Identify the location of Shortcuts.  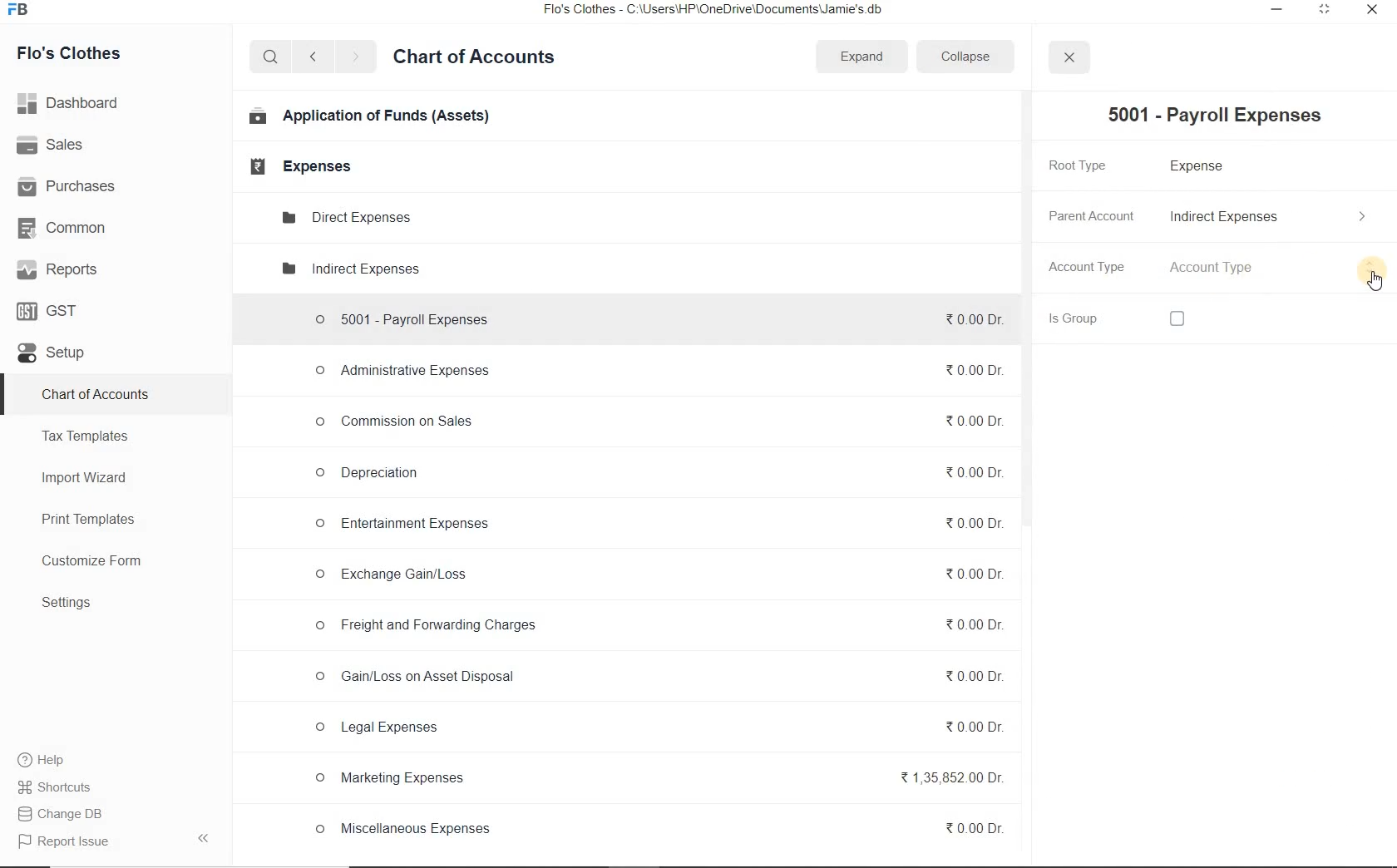
(69, 787).